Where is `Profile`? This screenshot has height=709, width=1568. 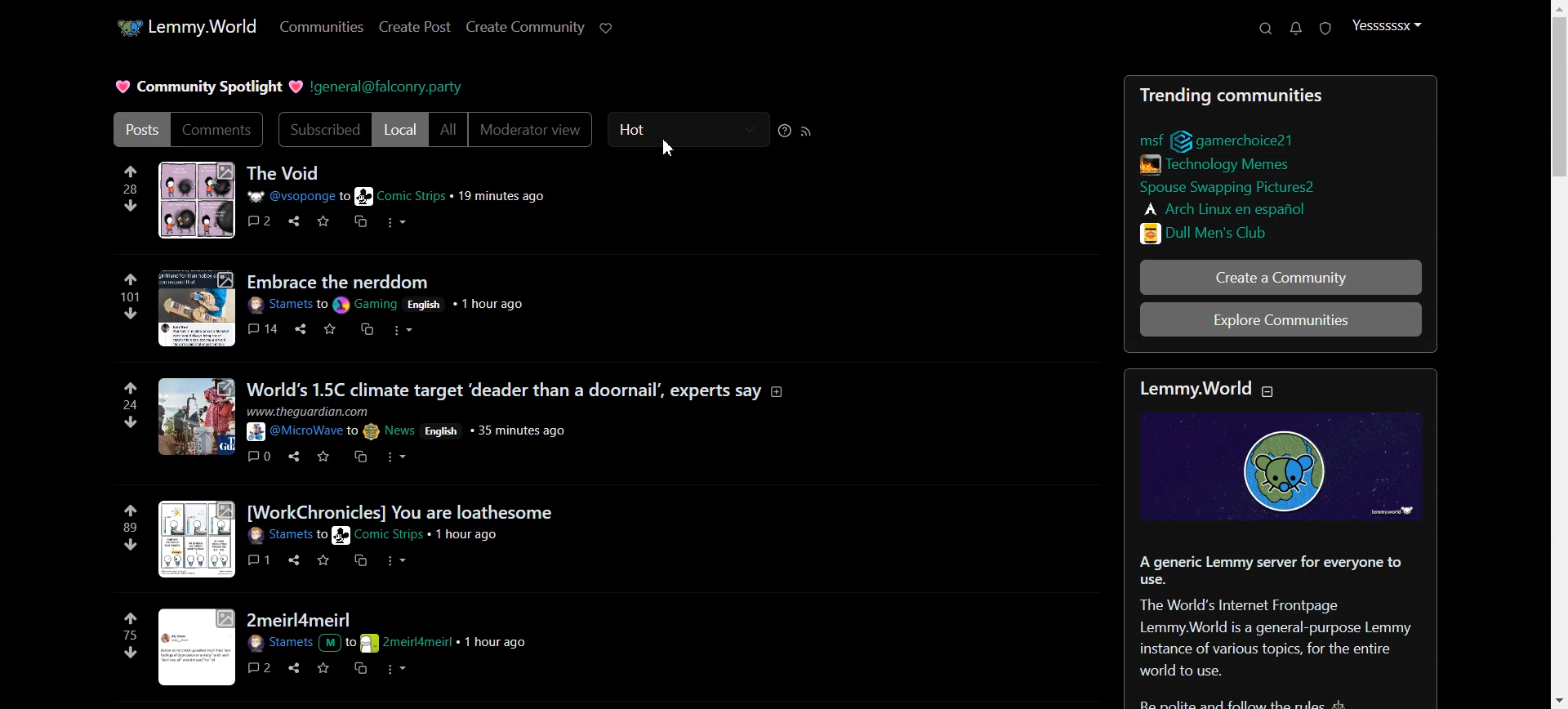
Profile is located at coordinates (1386, 25).